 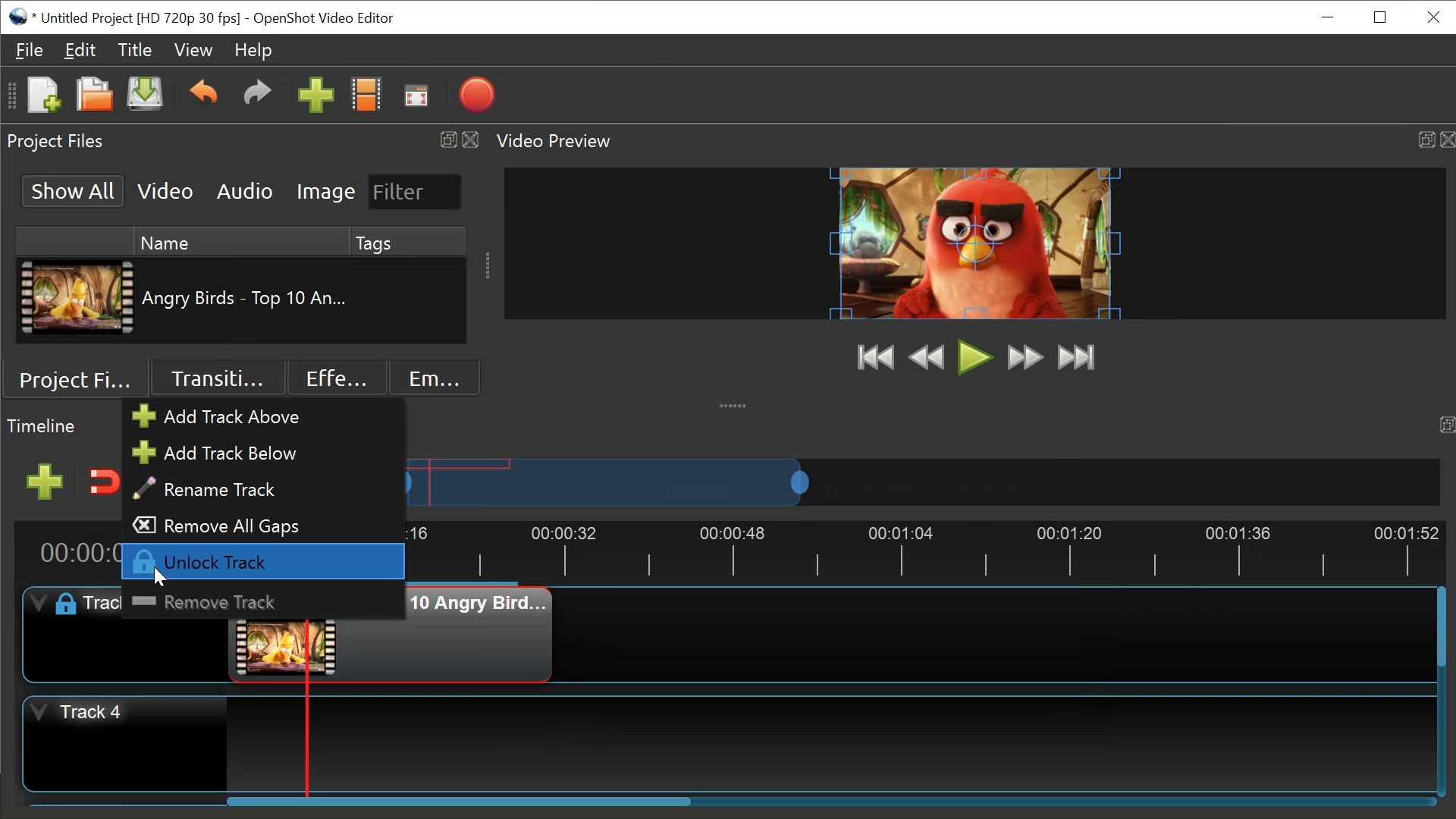 I want to click on Help, so click(x=251, y=50).